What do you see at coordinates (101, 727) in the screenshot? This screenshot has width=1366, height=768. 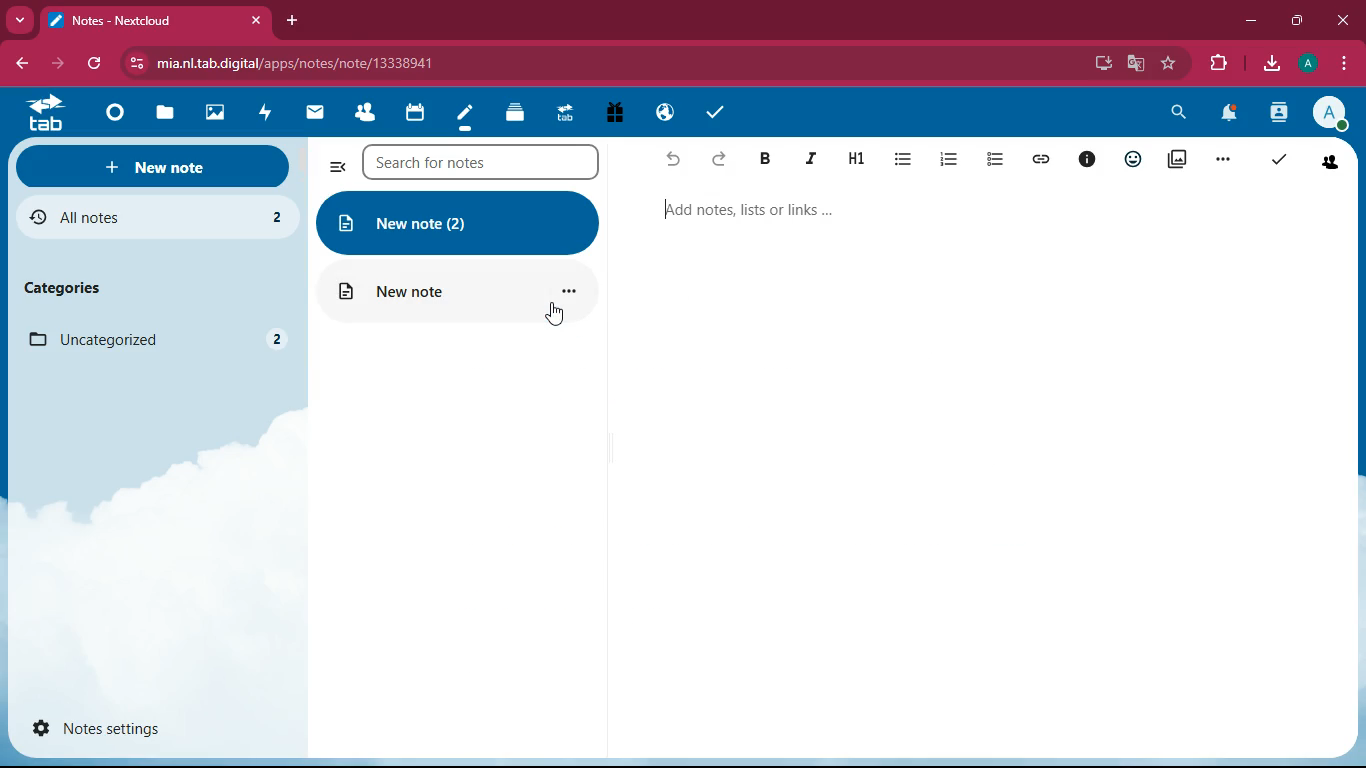 I see `notes settings` at bounding box center [101, 727].